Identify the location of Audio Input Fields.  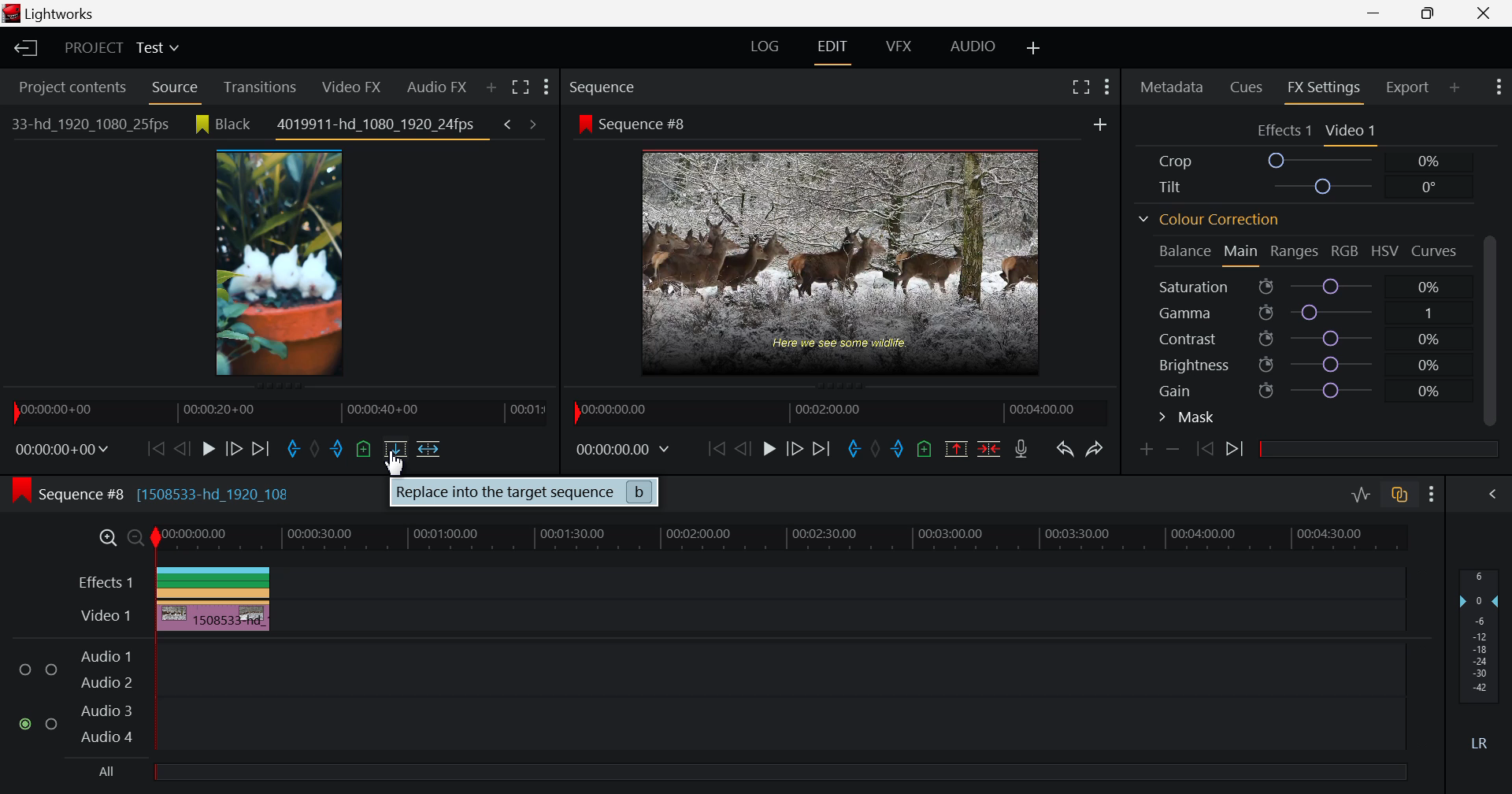
(708, 693).